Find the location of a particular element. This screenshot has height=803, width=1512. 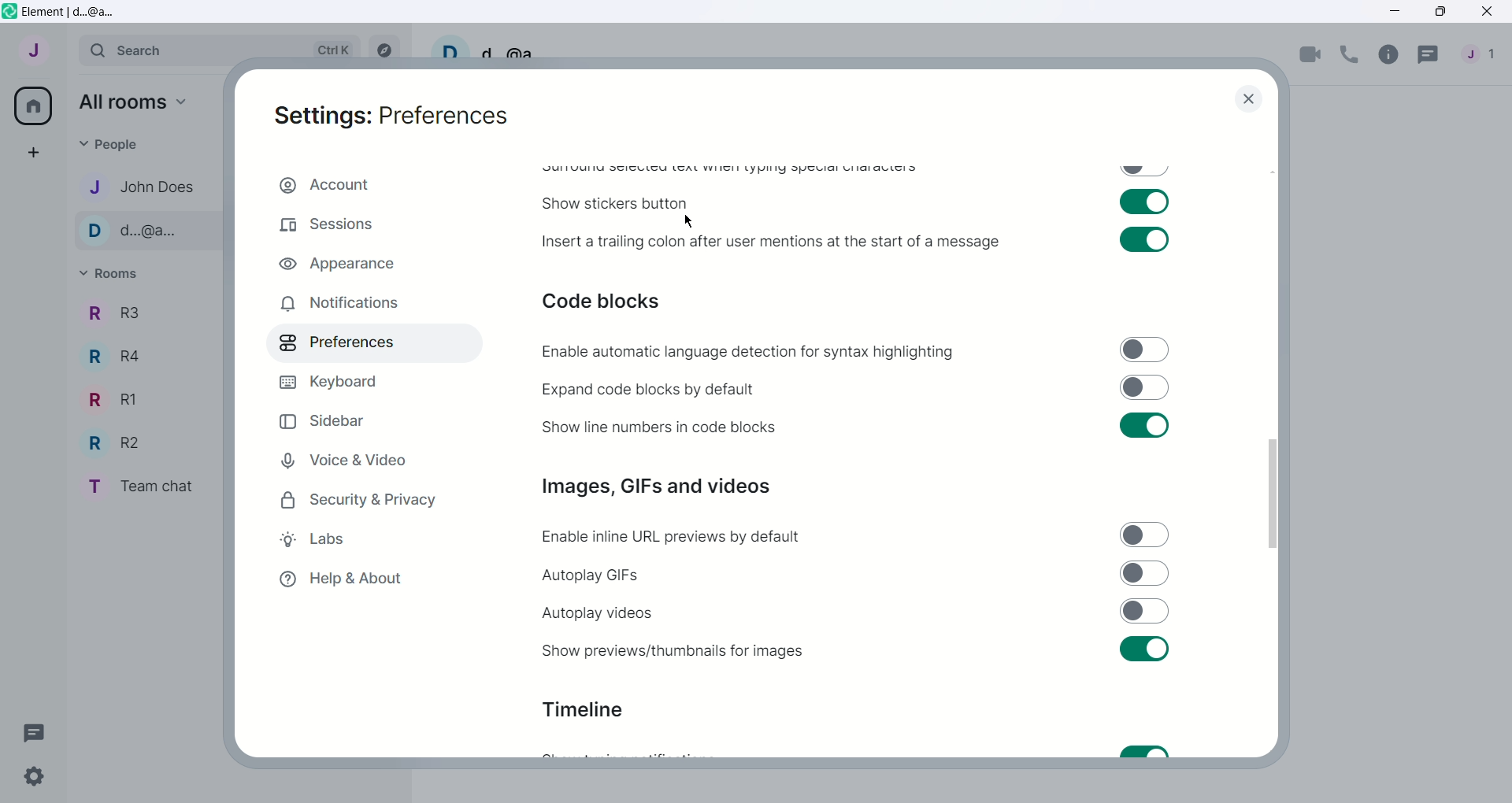

Element icon is located at coordinates (9, 11).